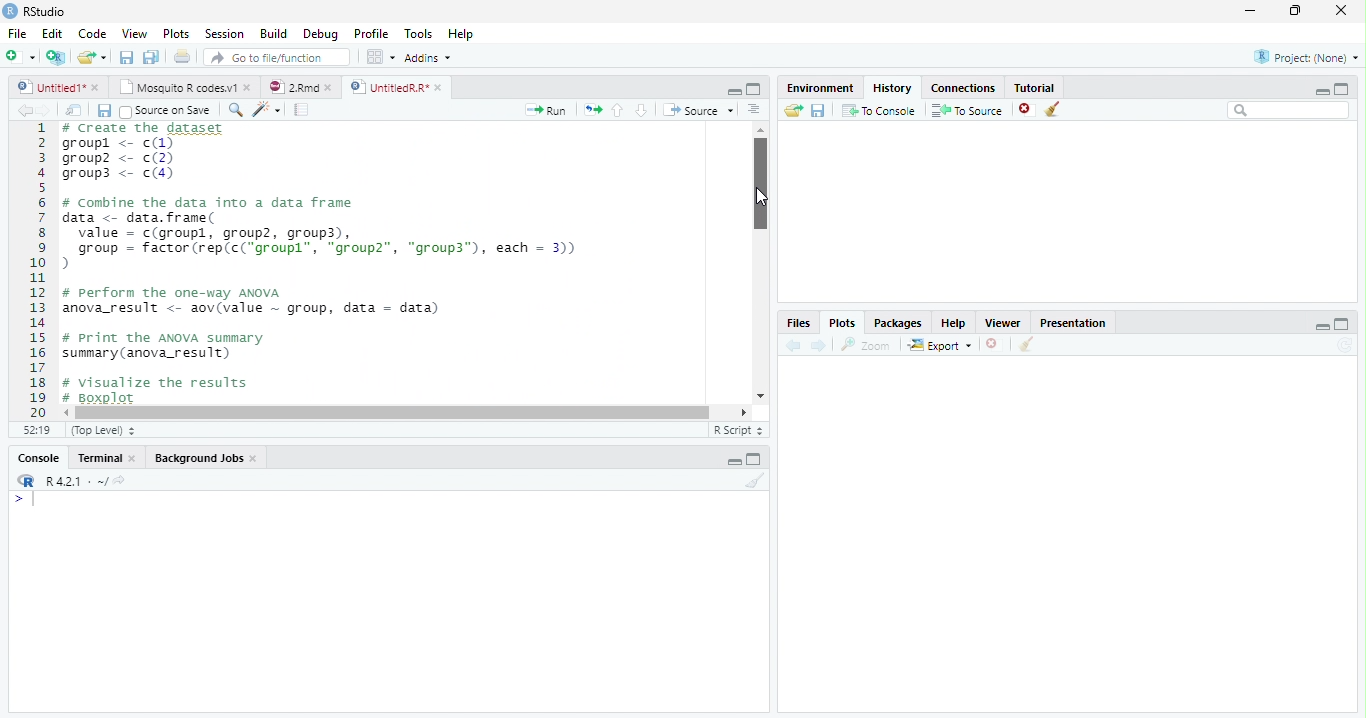  I want to click on geom boxplot() + Tabs(title = “soxplot of values by Group”, x = “Group”, y = “"value") +theme_minimal ()# mean plot with ggplot2group_means <- aggregate(value ~ group, data = data, mean)ggplot(group_means, aes(x = group, y = value, group = 1)) + #group=1 needed for line pgeon_line() +geon_point() +Tabs(title = “Mean Plot of values by Group”, x = “Group”, y = “Mean value") +theme_minimal ()# Tukey's Hsp for pairwise comparisons (post-hoc test)tukey_result <- TukeyHsD(anova_result)print (tukey_result)#visualize Tukey's HSD results, so click(400, 264).